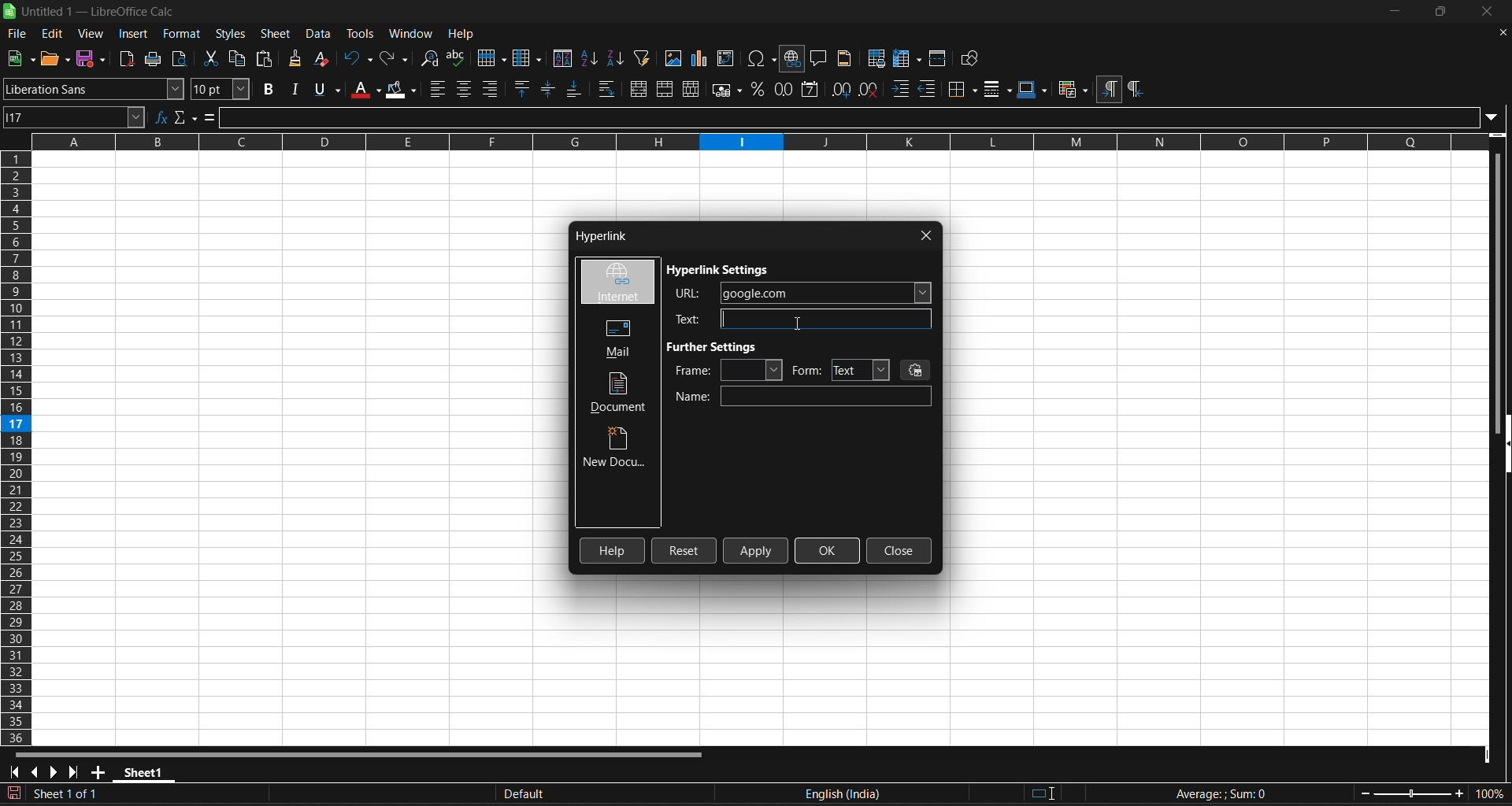  What do you see at coordinates (73, 773) in the screenshot?
I see `scroll to last sheet ` at bounding box center [73, 773].